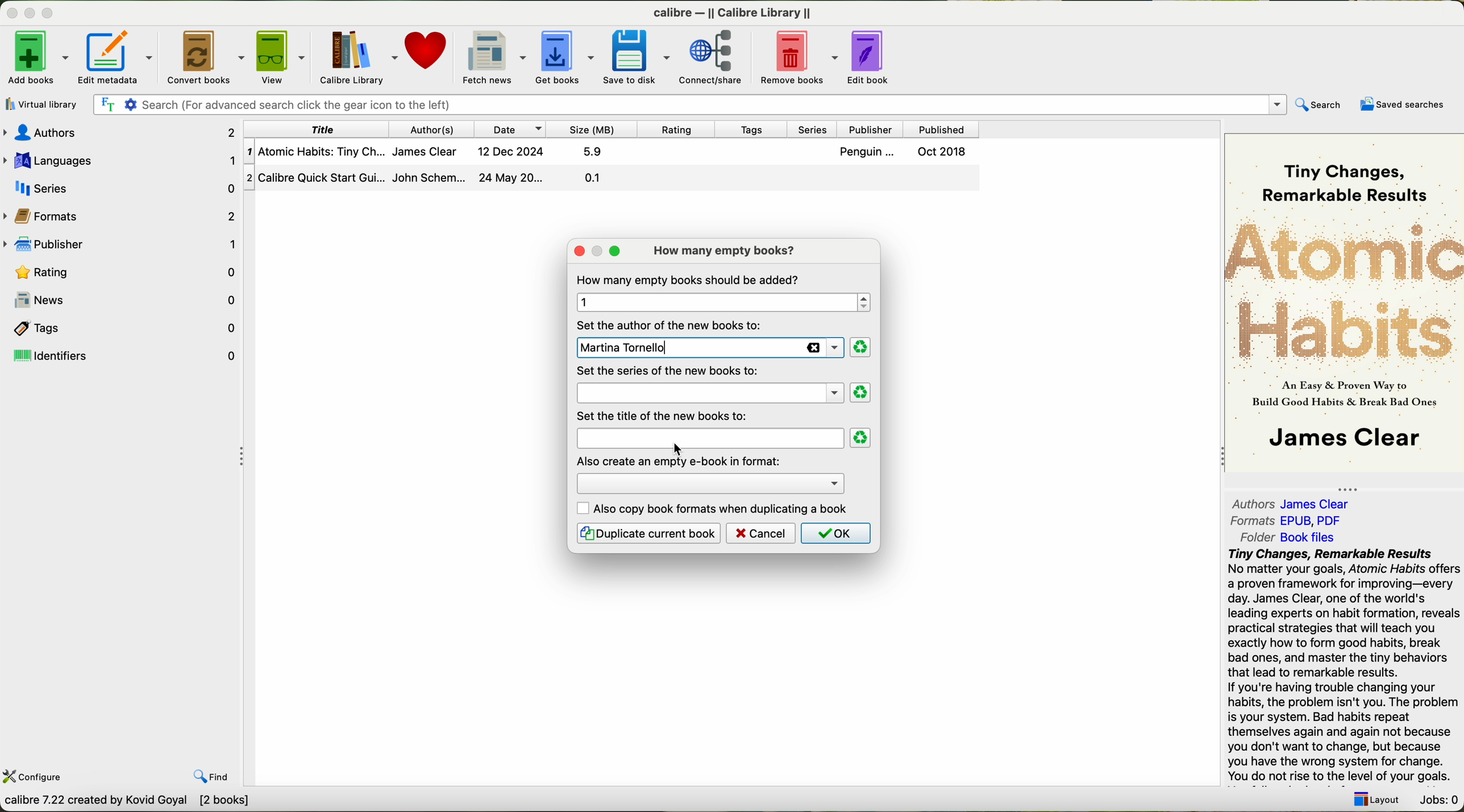 This screenshot has width=1464, height=812. I want to click on try changes remarkable results no matter your goals ,Atomic Habits offers a proven framework for improvity every day ,James Clear one of the word's leading expert on habit formation reveals practice startegies that will teach you howto form break bad ones and improve tiny beahbviors turn in ramarkable results.you do not rise to the level of your goals., so click(1336, 666).